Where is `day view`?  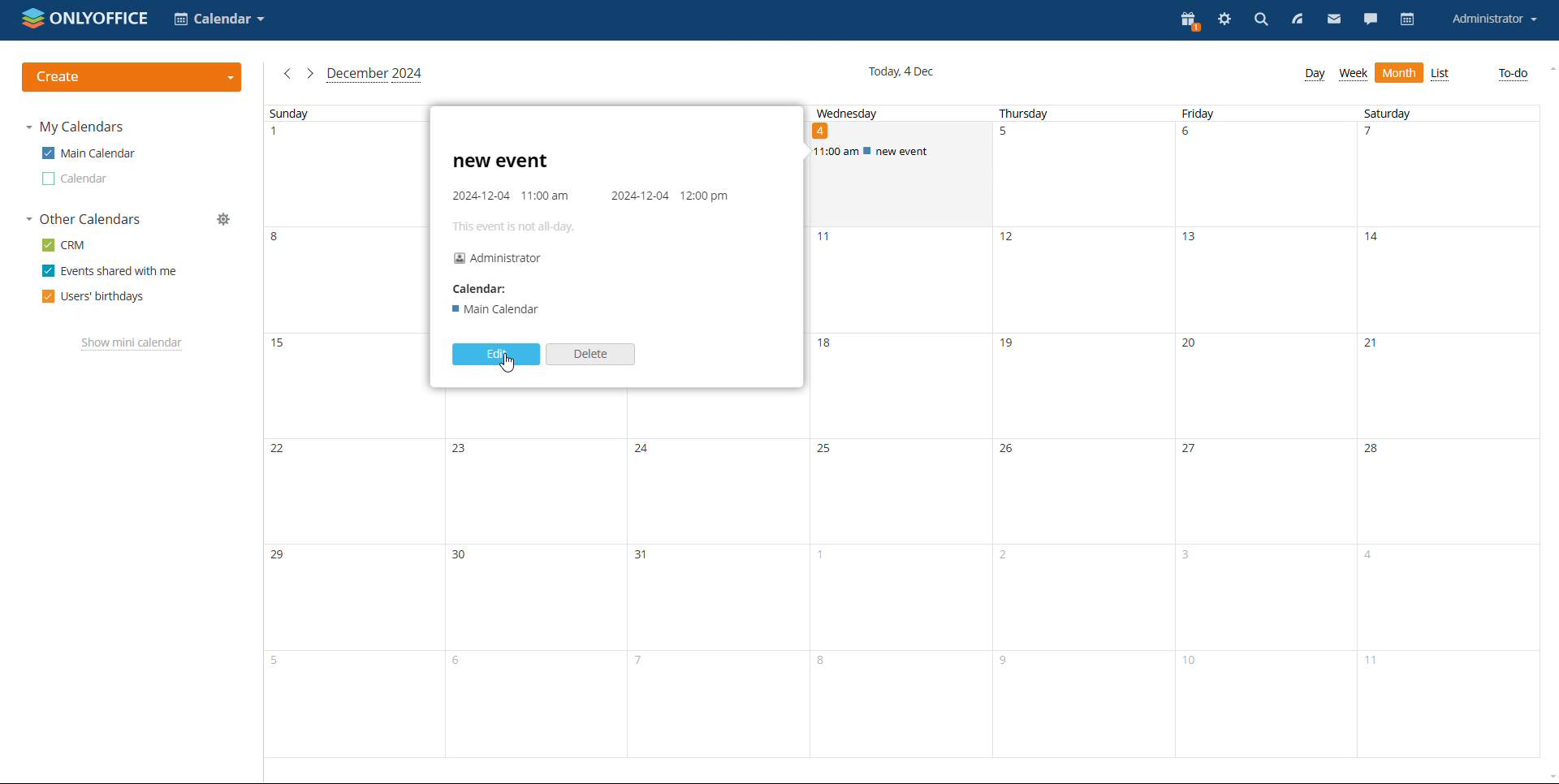
day view is located at coordinates (1314, 75).